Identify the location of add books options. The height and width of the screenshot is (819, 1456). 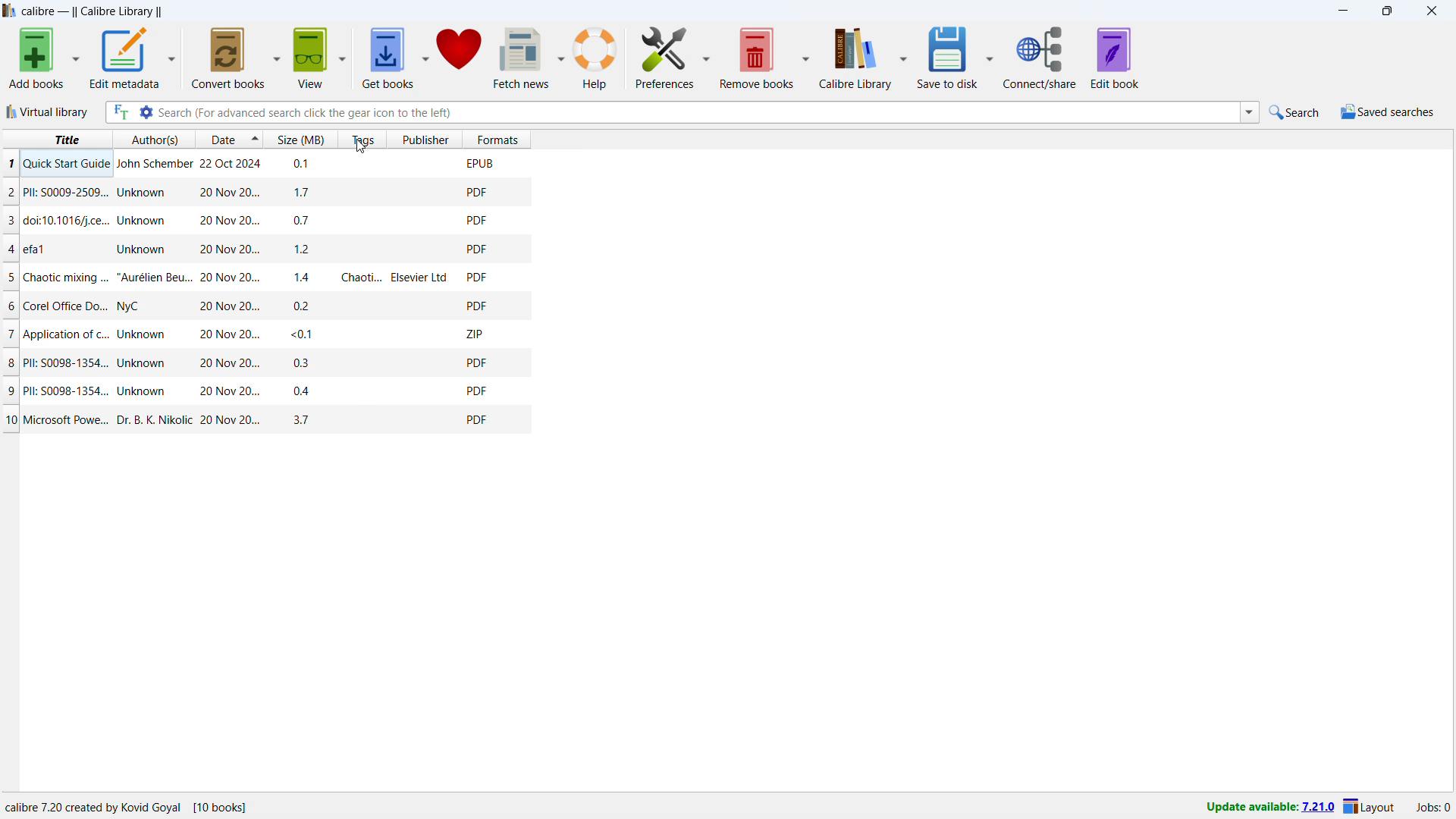
(77, 56).